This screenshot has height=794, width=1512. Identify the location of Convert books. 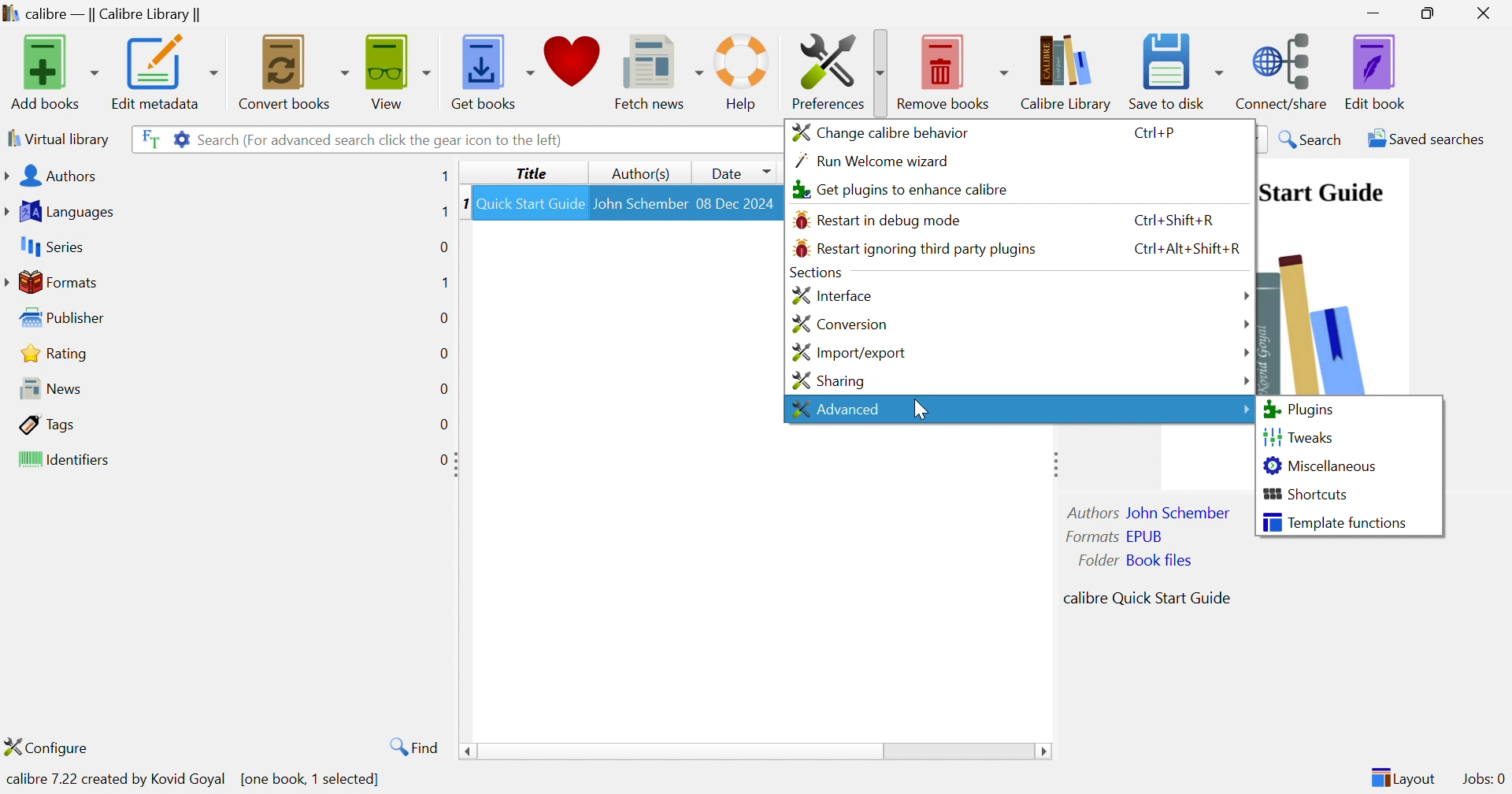
(291, 70).